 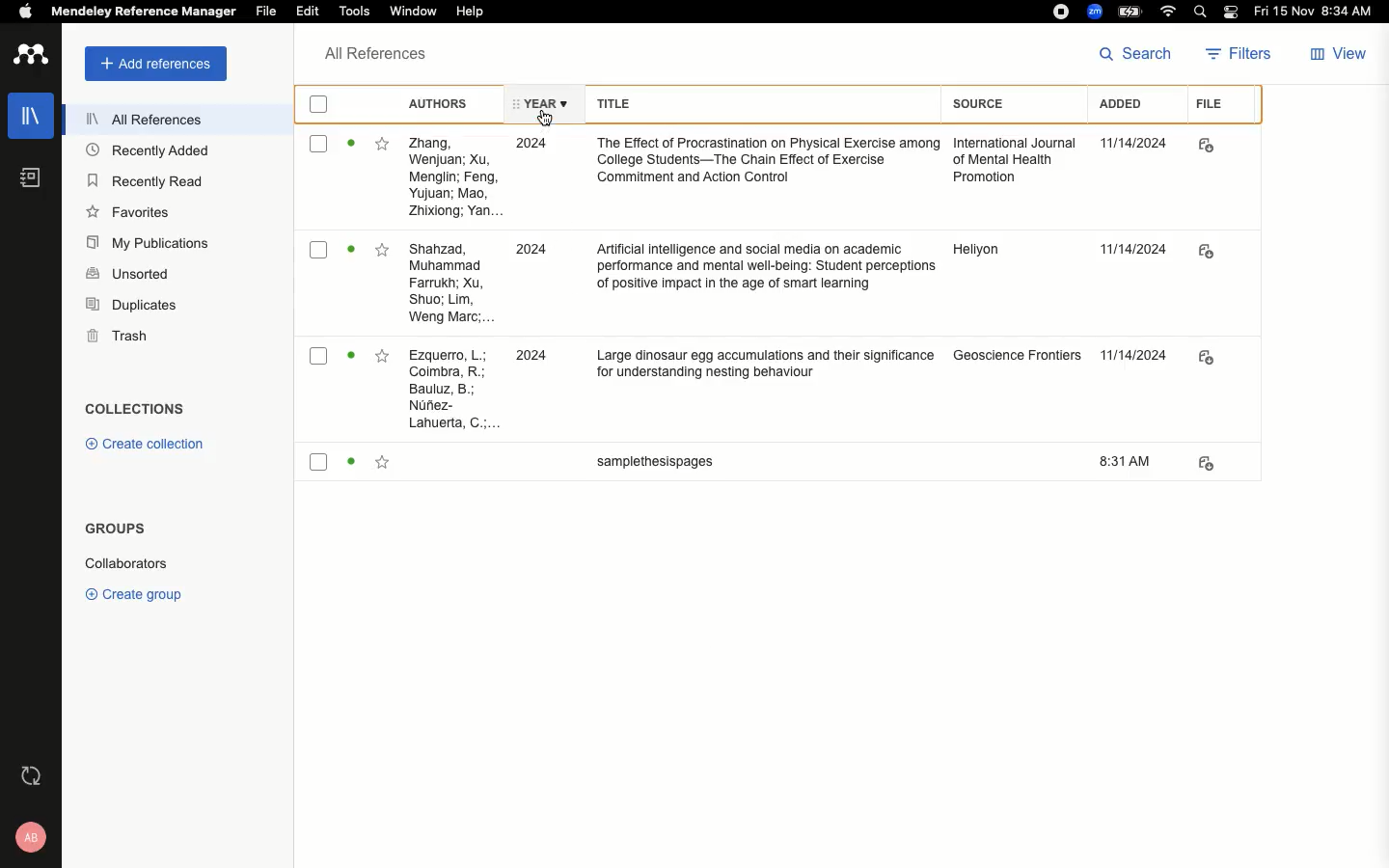 What do you see at coordinates (1011, 164) in the screenshot?
I see `source` at bounding box center [1011, 164].